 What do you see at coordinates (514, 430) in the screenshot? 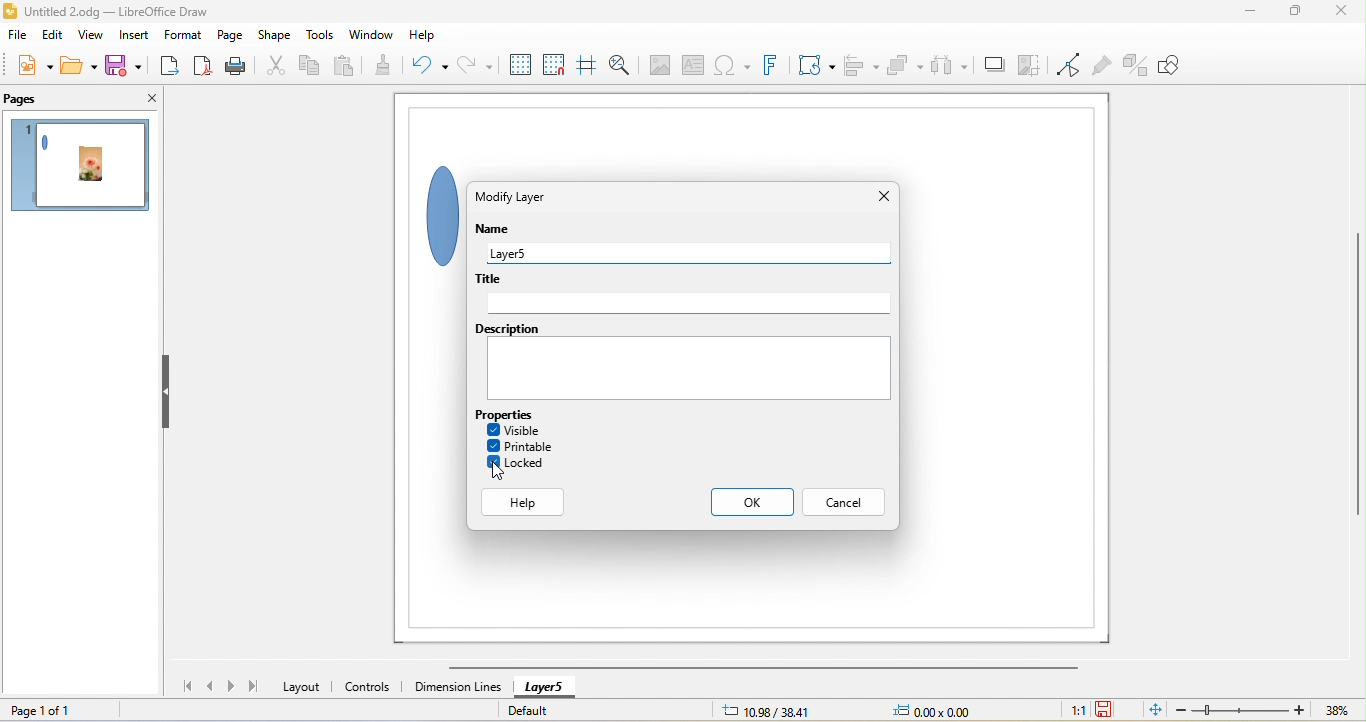
I see `visible` at bounding box center [514, 430].